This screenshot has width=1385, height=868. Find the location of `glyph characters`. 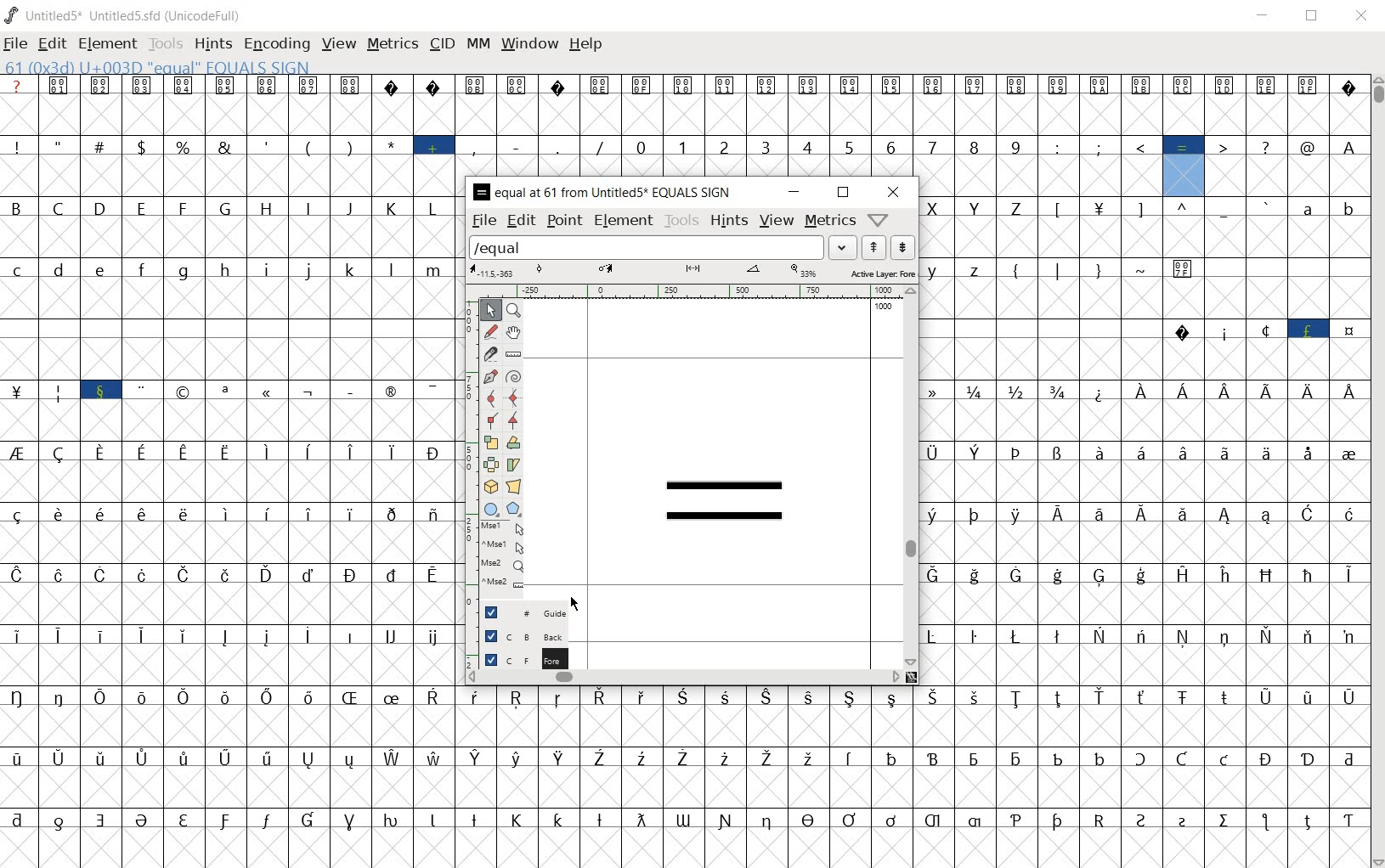

glyph characters is located at coordinates (1145, 441).